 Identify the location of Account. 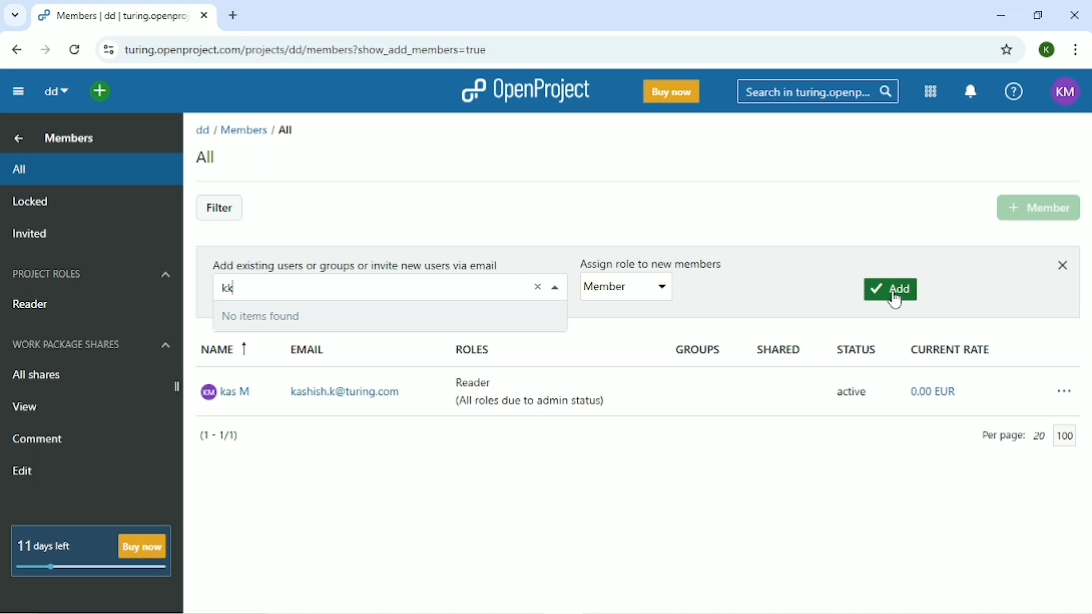
(1065, 92).